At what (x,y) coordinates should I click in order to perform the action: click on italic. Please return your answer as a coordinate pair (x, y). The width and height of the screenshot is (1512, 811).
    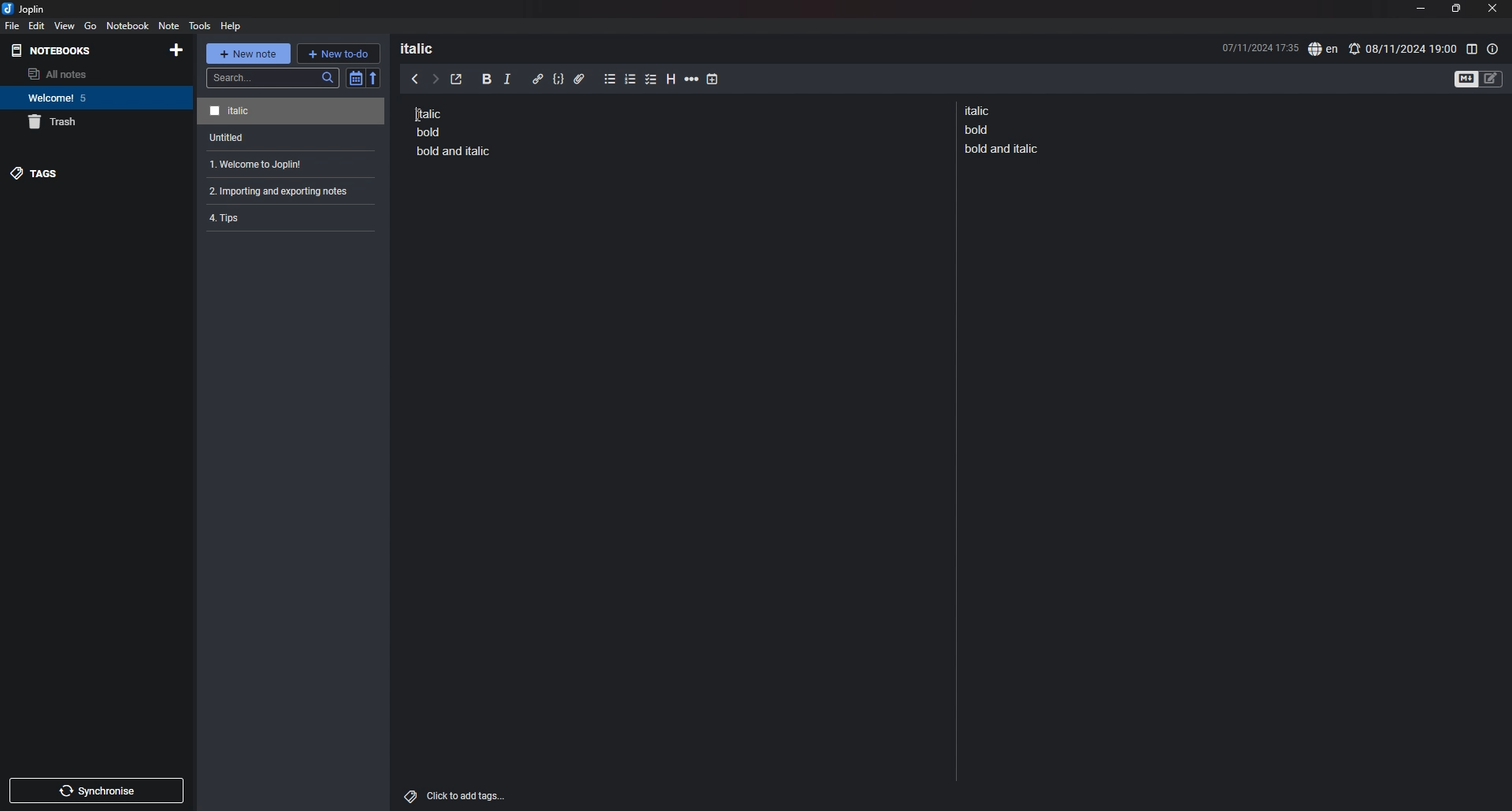
    Looking at the image, I should click on (507, 82).